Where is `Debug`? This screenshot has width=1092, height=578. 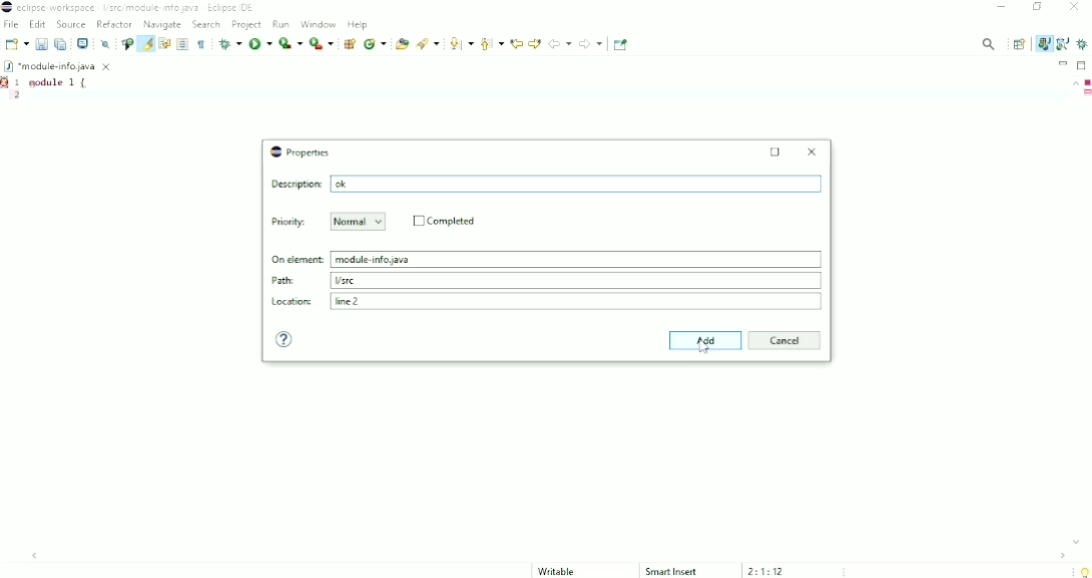 Debug is located at coordinates (230, 44).